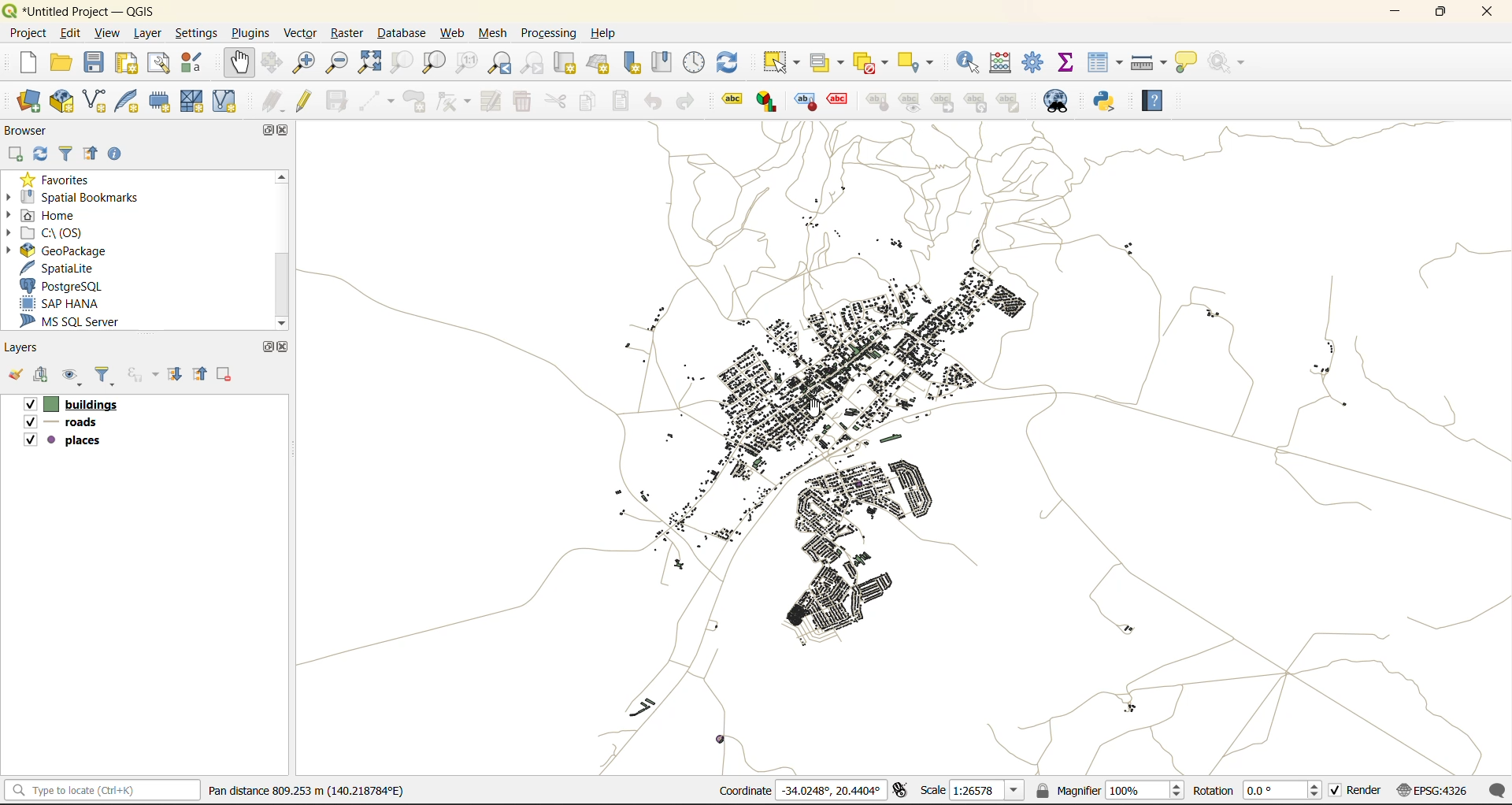 The image size is (1512, 805). I want to click on toggle edits, so click(303, 99).